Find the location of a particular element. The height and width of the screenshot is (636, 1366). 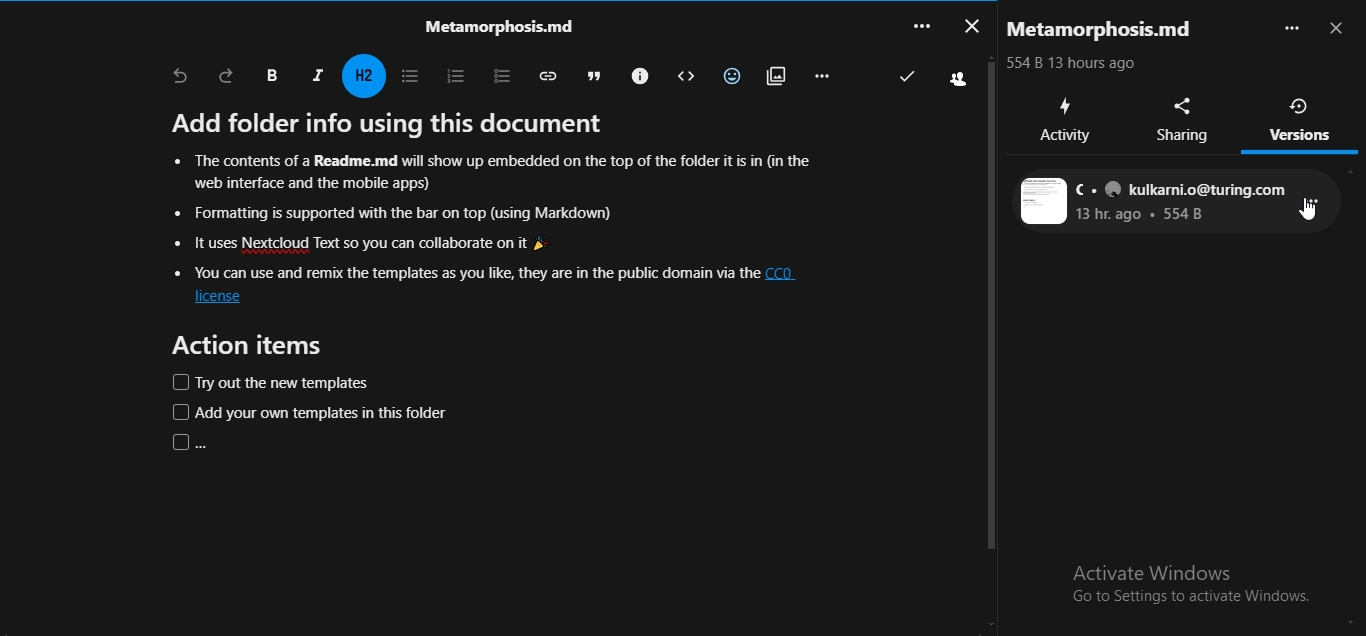

text is located at coordinates (1154, 202).